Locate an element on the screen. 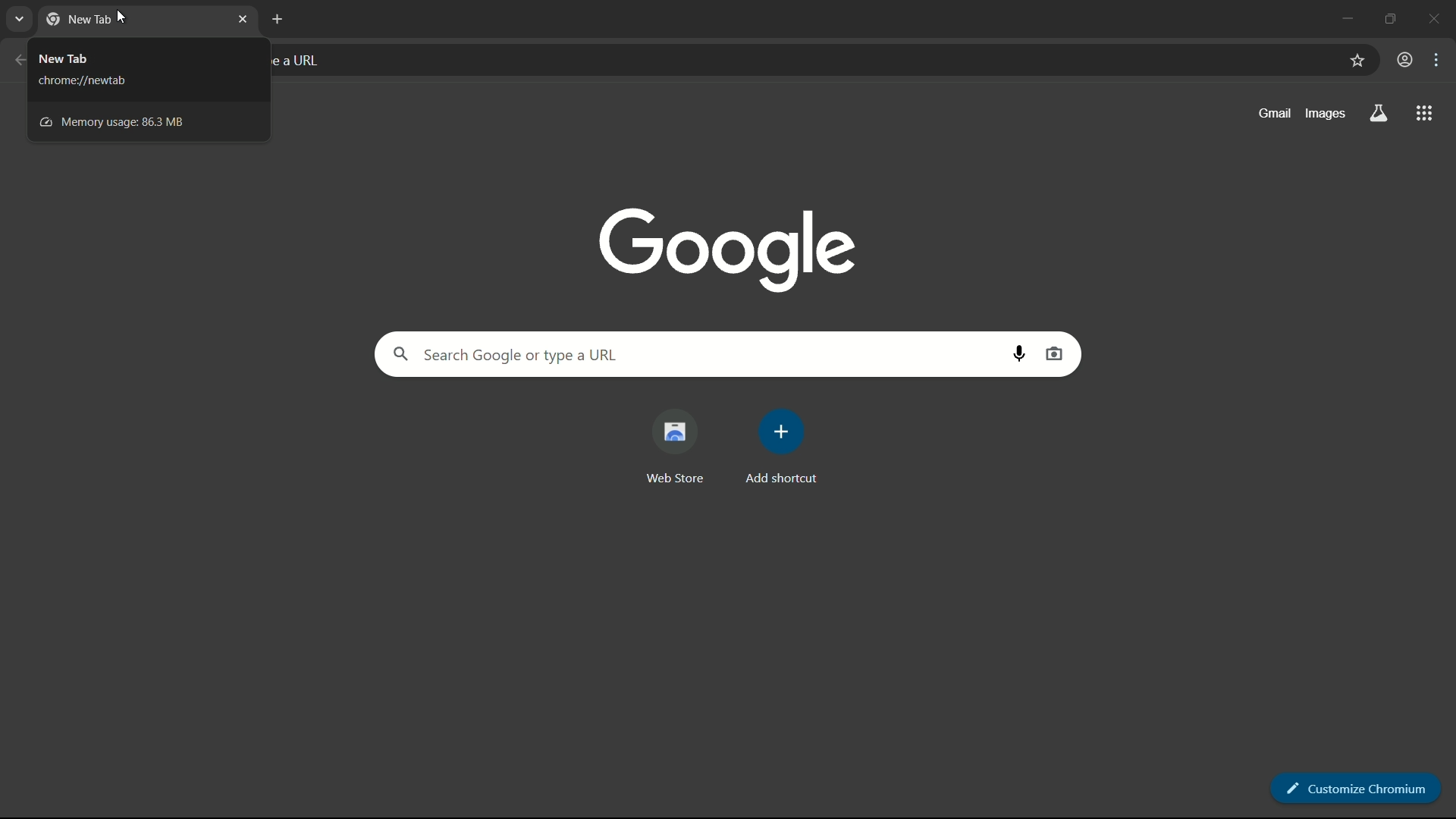 This screenshot has width=1456, height=819. search tab is located at coordinates (20, 20).